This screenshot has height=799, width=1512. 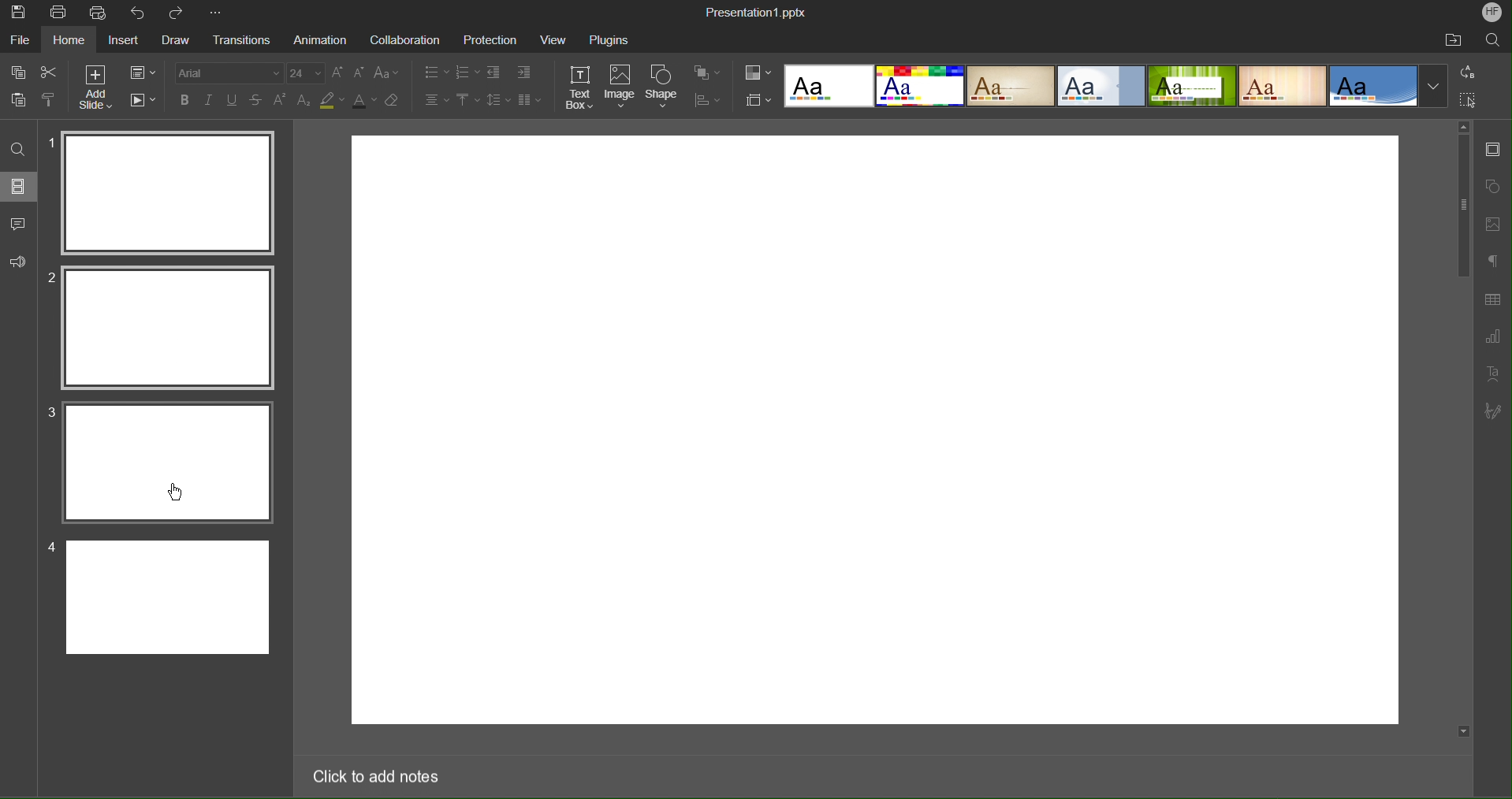 I want to click on Draw, so click(x=175, y=41).